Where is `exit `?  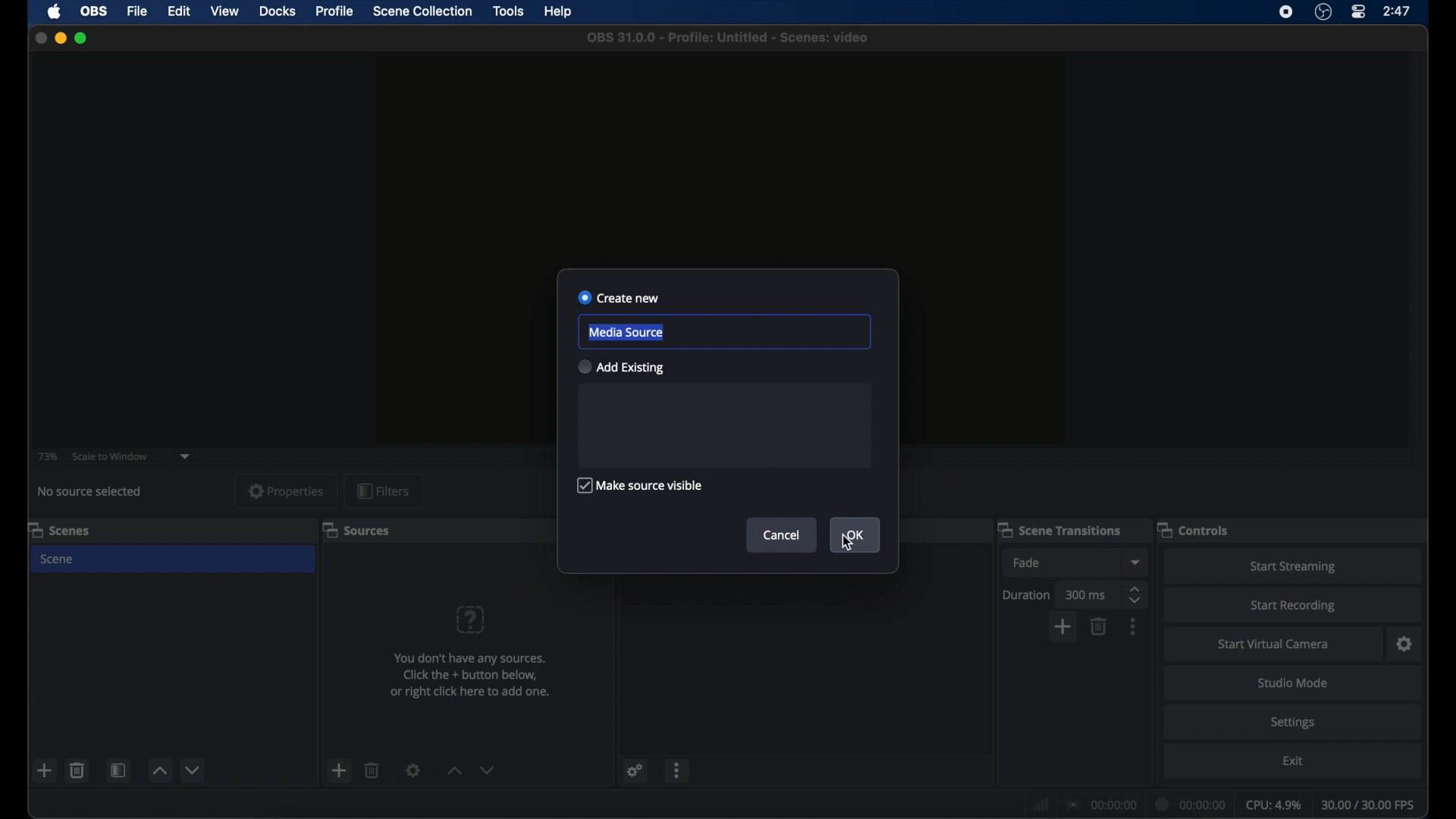 exit  is located at coordinates (1293, 761).